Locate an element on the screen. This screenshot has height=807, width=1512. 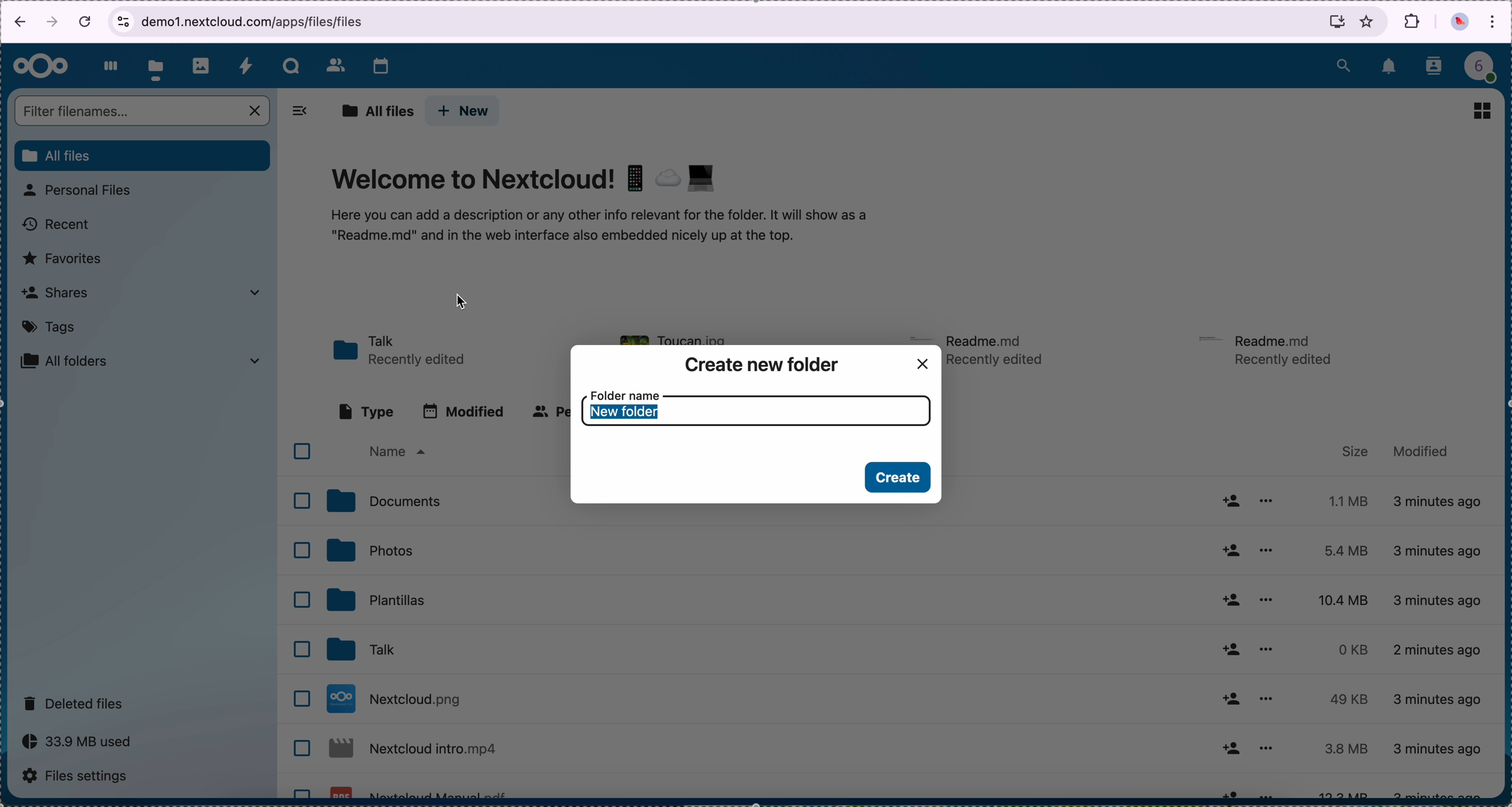
photos is located at coordinates (201, 66).